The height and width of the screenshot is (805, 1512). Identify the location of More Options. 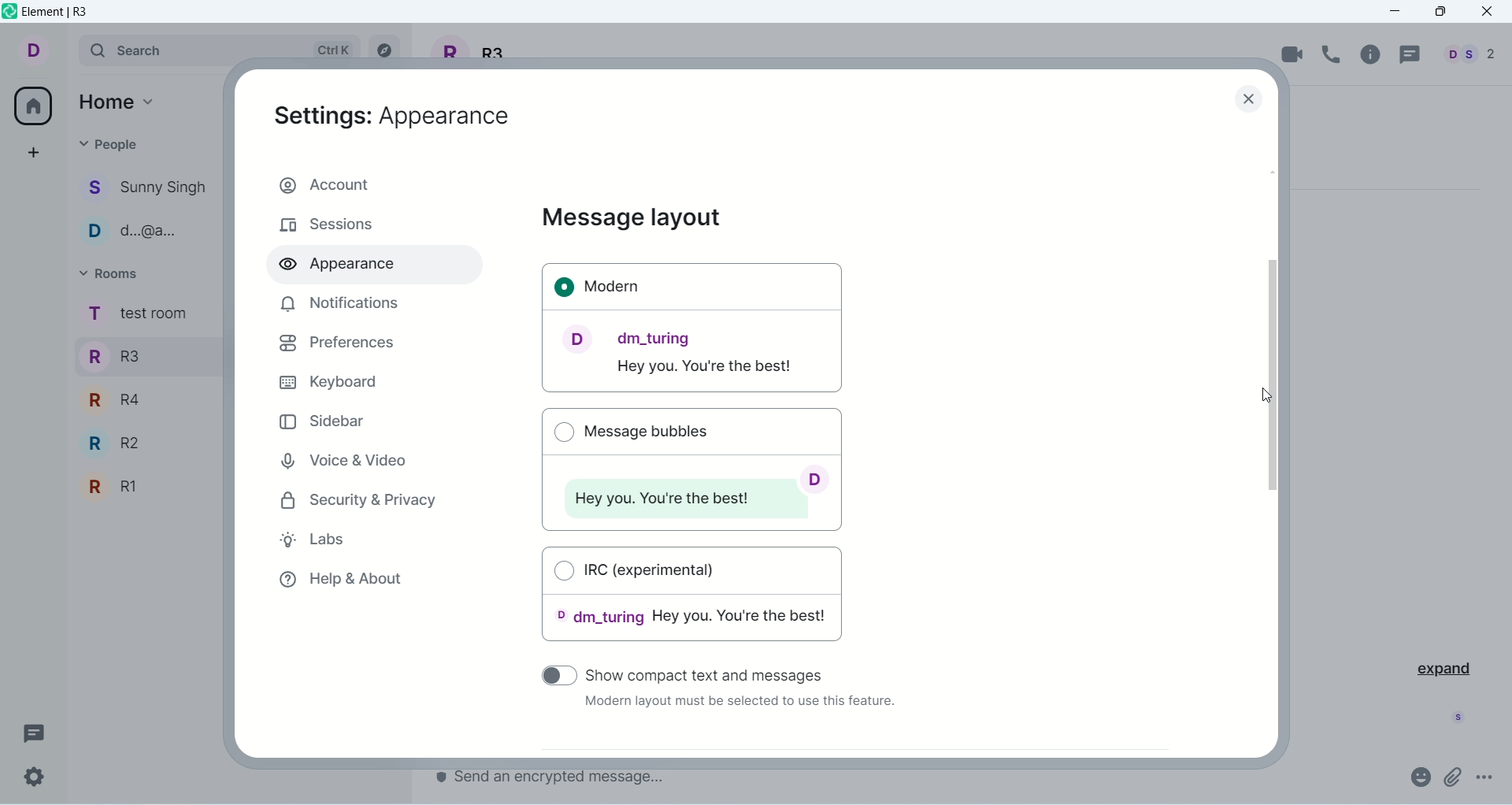
(1488, 777).